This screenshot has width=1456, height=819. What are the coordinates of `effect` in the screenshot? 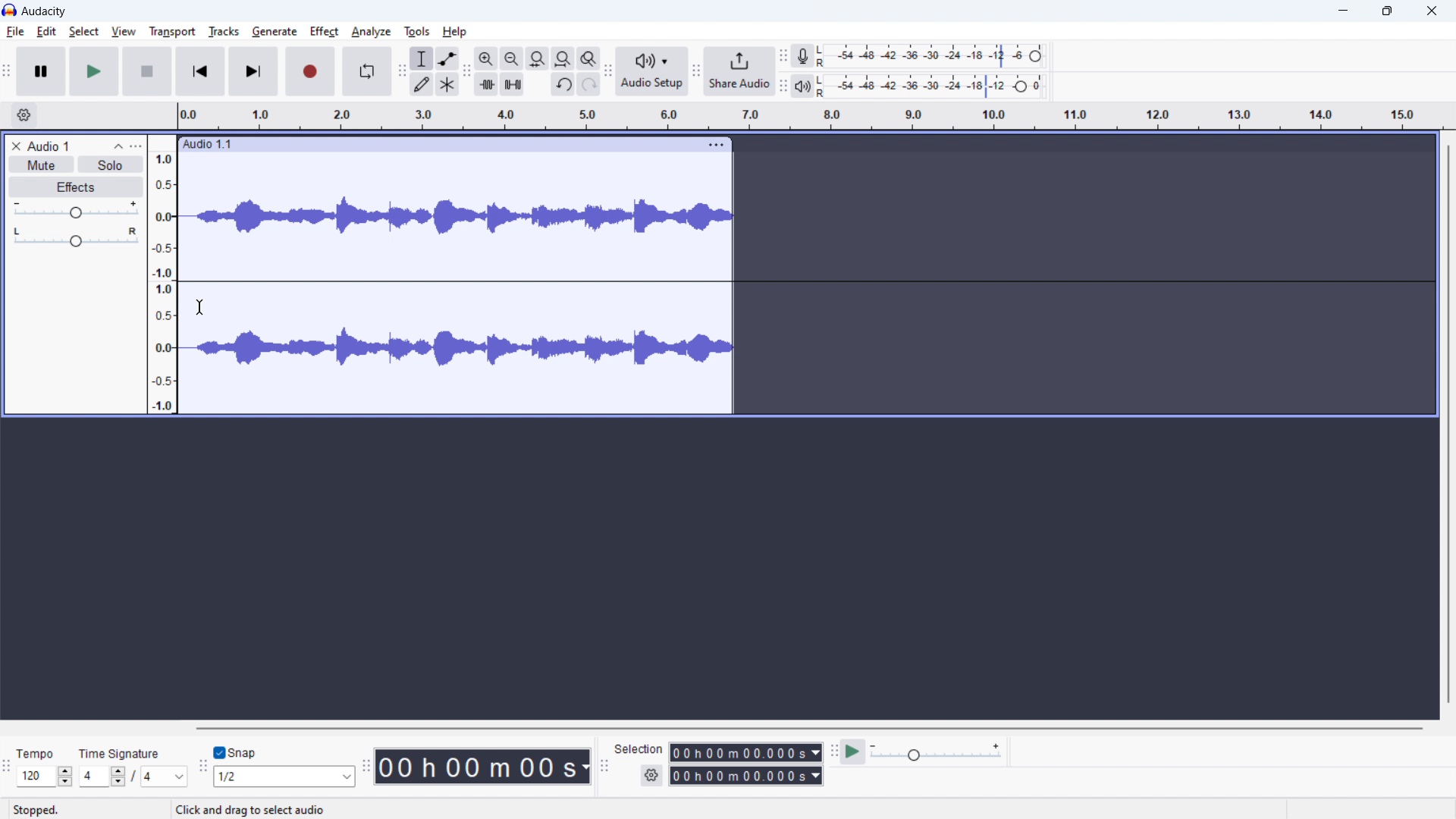 It's located at (325, 31).